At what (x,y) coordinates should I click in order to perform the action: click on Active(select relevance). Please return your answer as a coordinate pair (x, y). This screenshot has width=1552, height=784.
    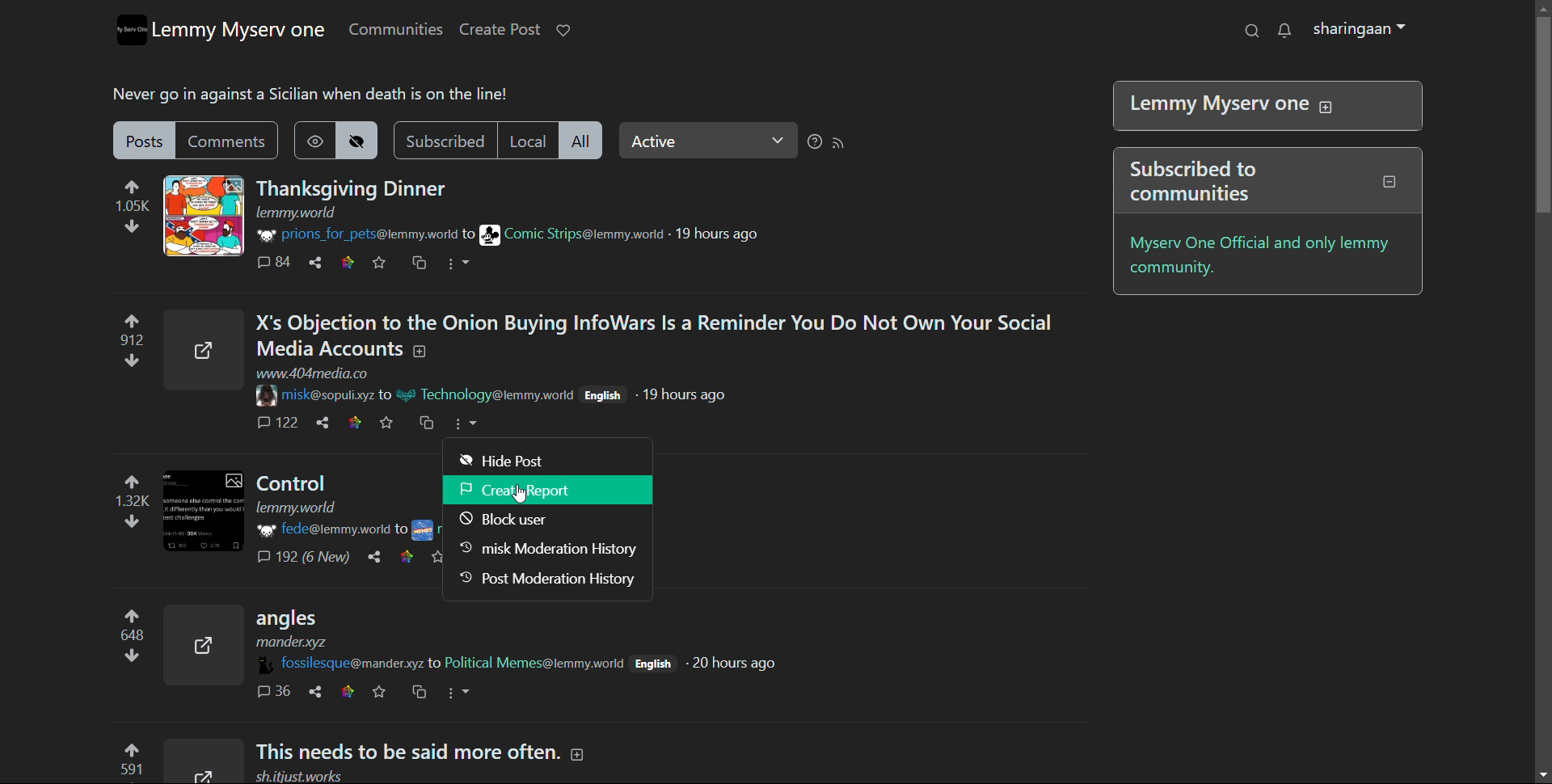
    Looking at the image, I should click on (709, 141).